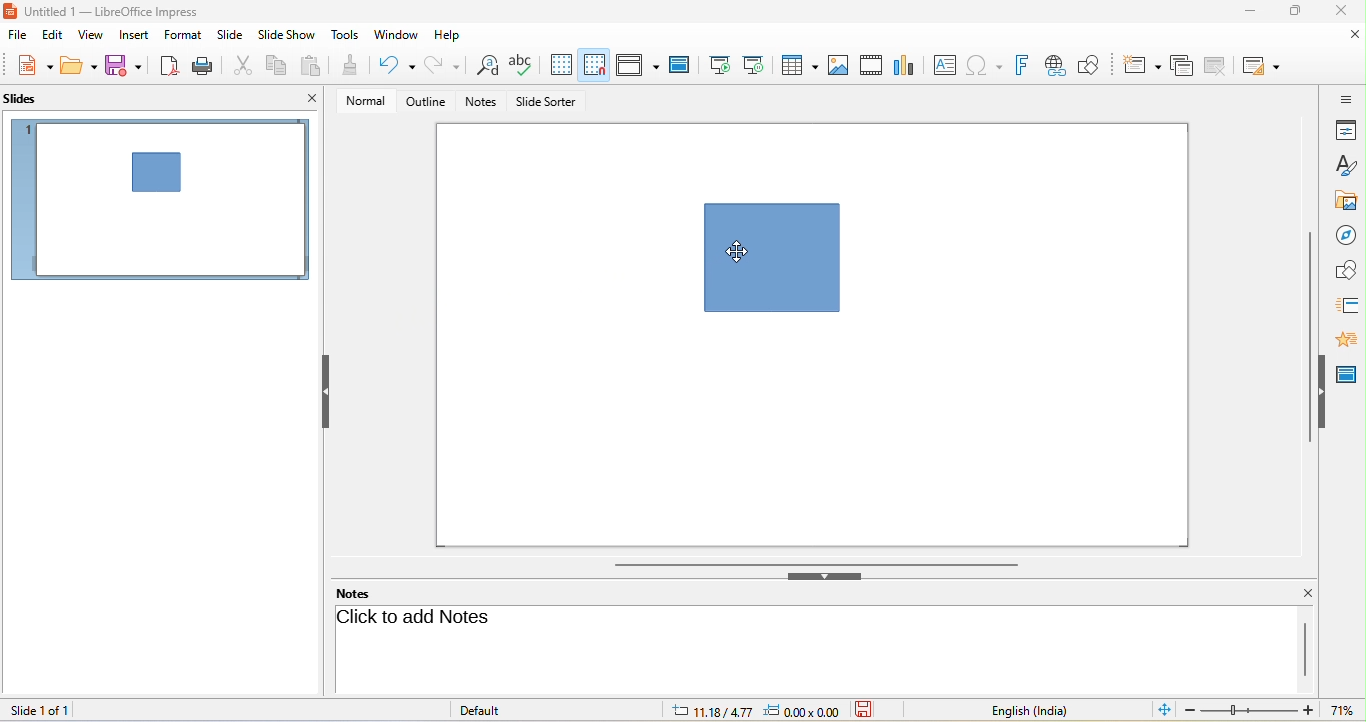 Image resolution: width=1366 pixels, height=722 pixels. I want to click on English (India), so click(1018, 710).